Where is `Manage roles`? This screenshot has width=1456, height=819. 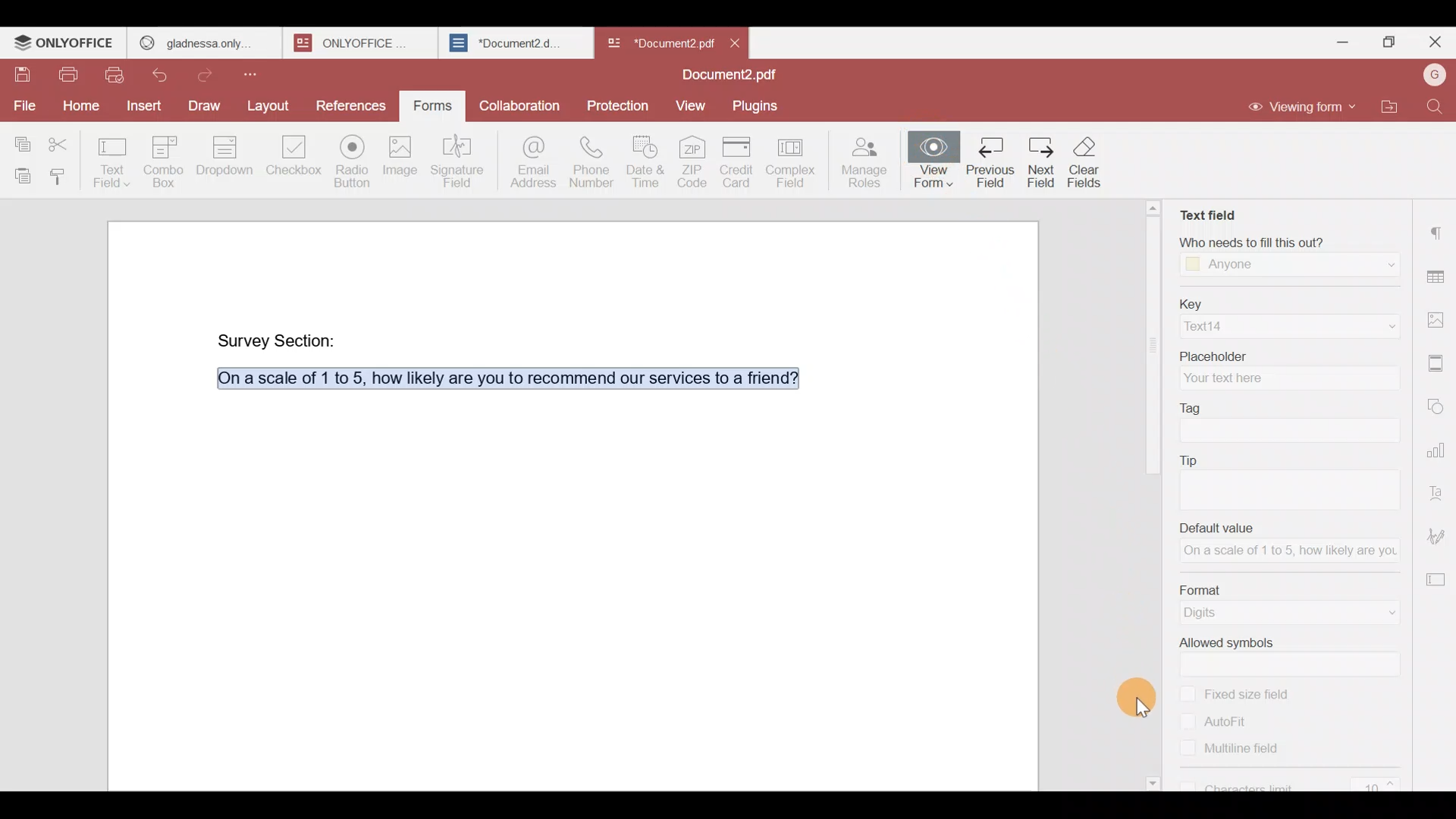 Manage roles is located at coordinates (864, 160).